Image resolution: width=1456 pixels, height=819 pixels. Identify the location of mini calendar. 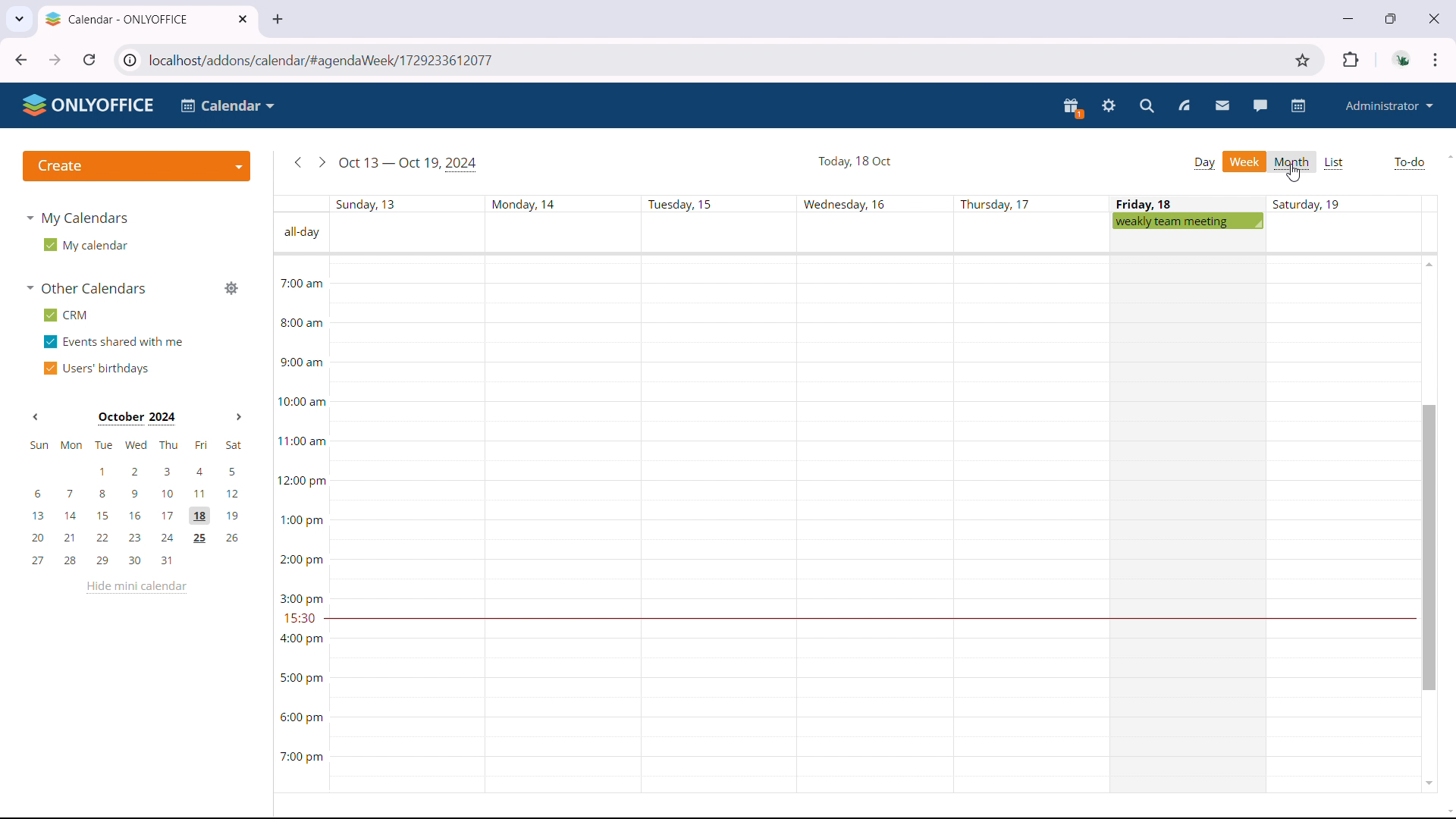
(136, 503).